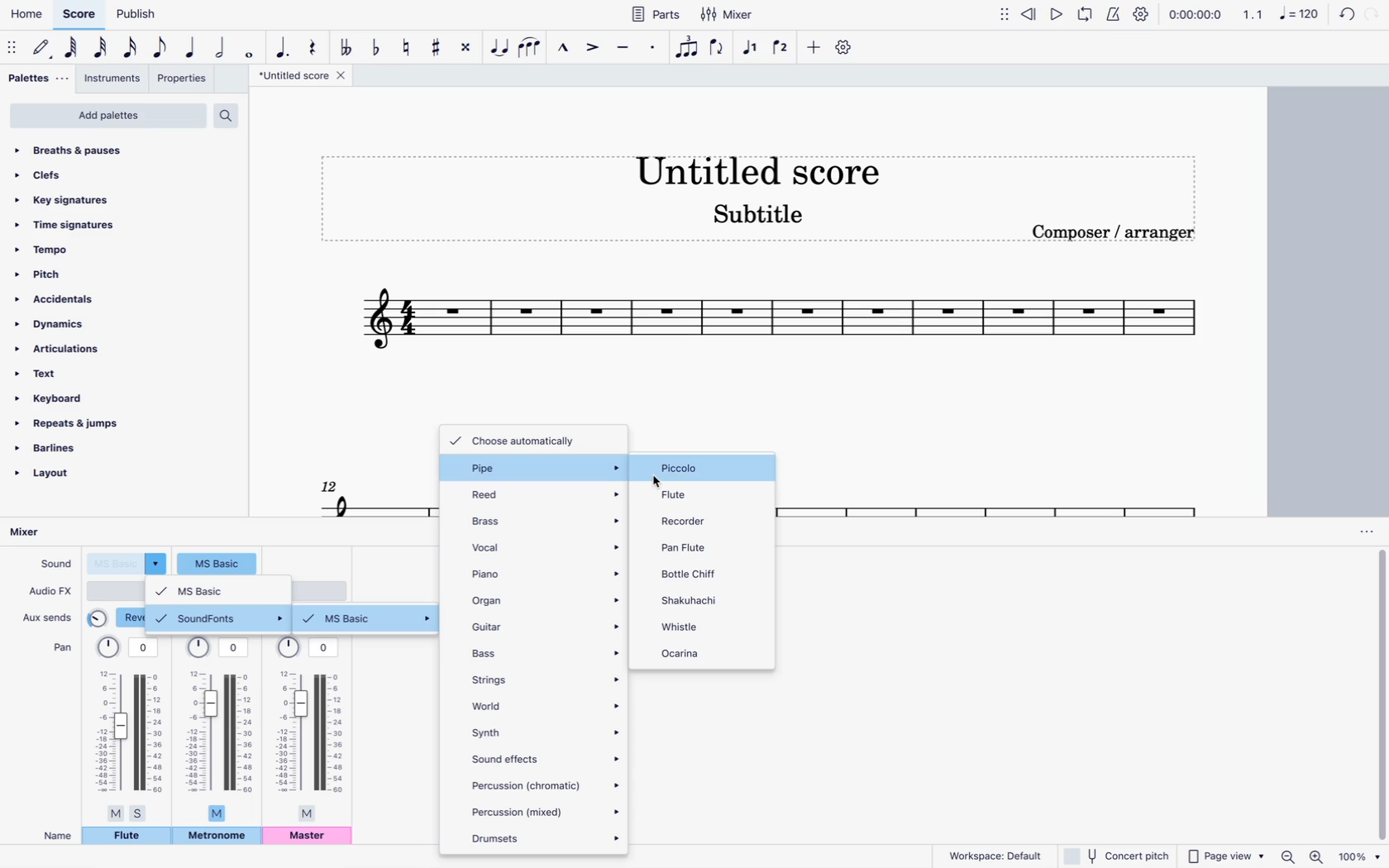  I want to click on voice 1, so click(752, 48).